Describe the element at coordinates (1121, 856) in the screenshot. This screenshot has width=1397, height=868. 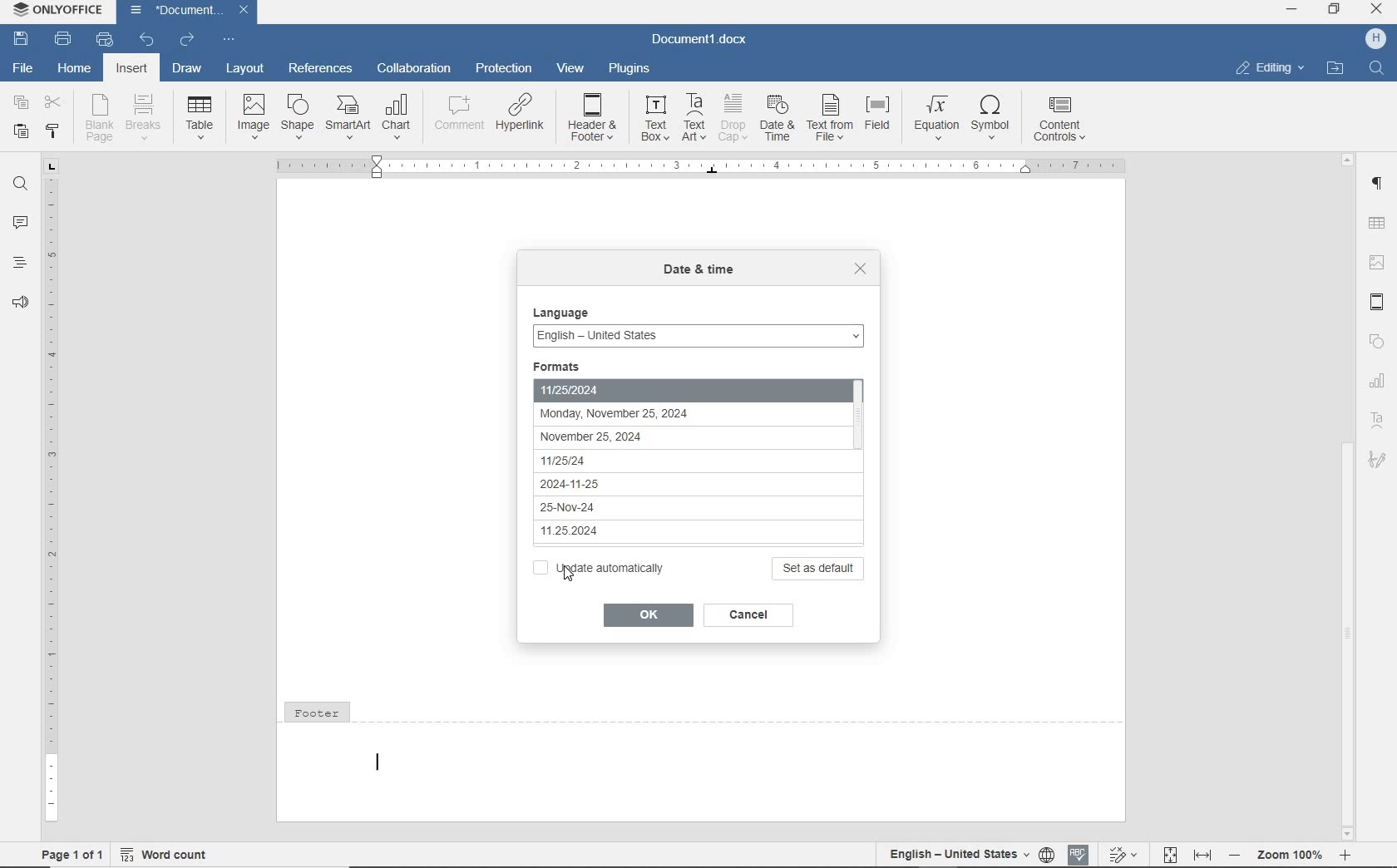
I see `track changes` at that location.